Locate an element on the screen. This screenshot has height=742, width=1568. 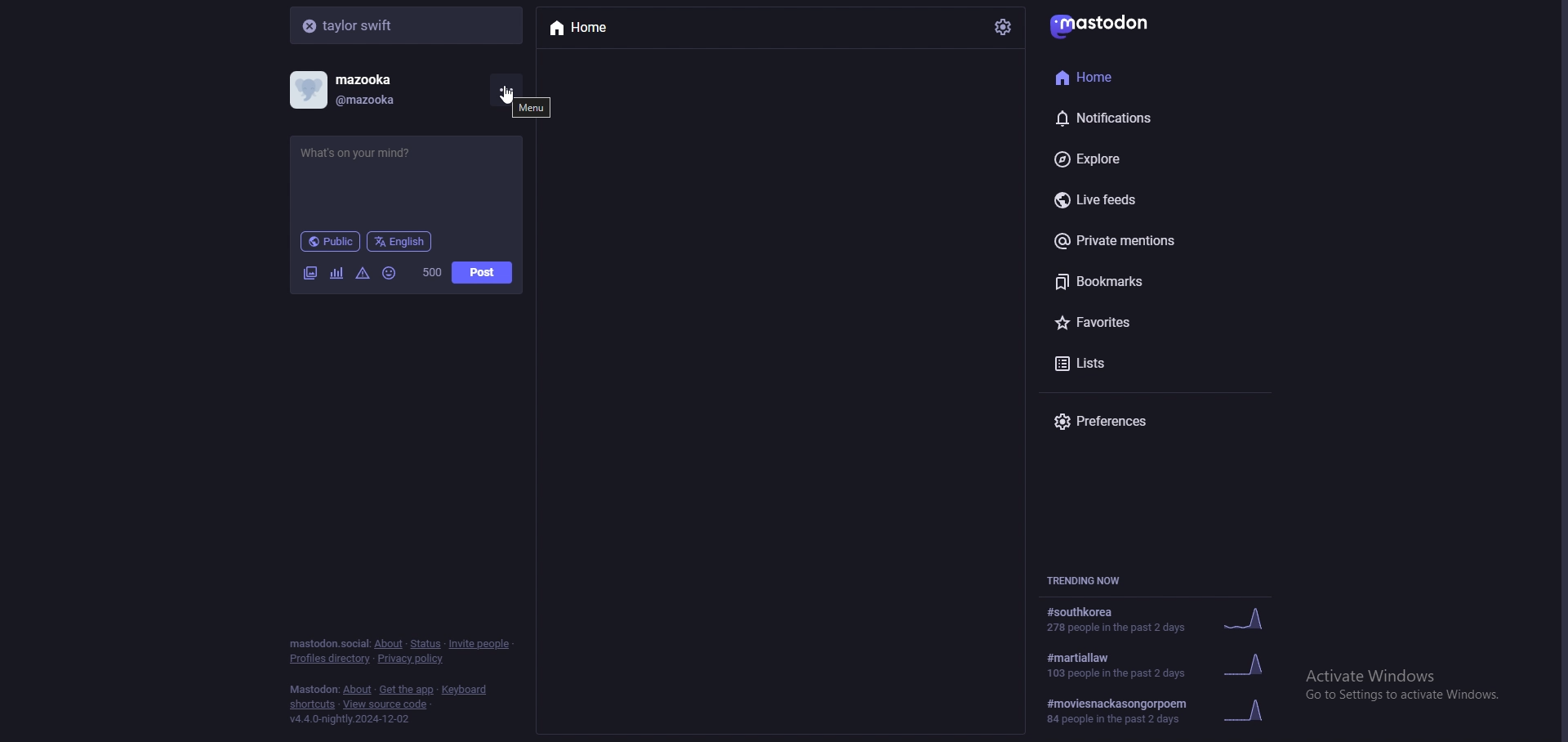
get the app is located at coordinates (405, 689).